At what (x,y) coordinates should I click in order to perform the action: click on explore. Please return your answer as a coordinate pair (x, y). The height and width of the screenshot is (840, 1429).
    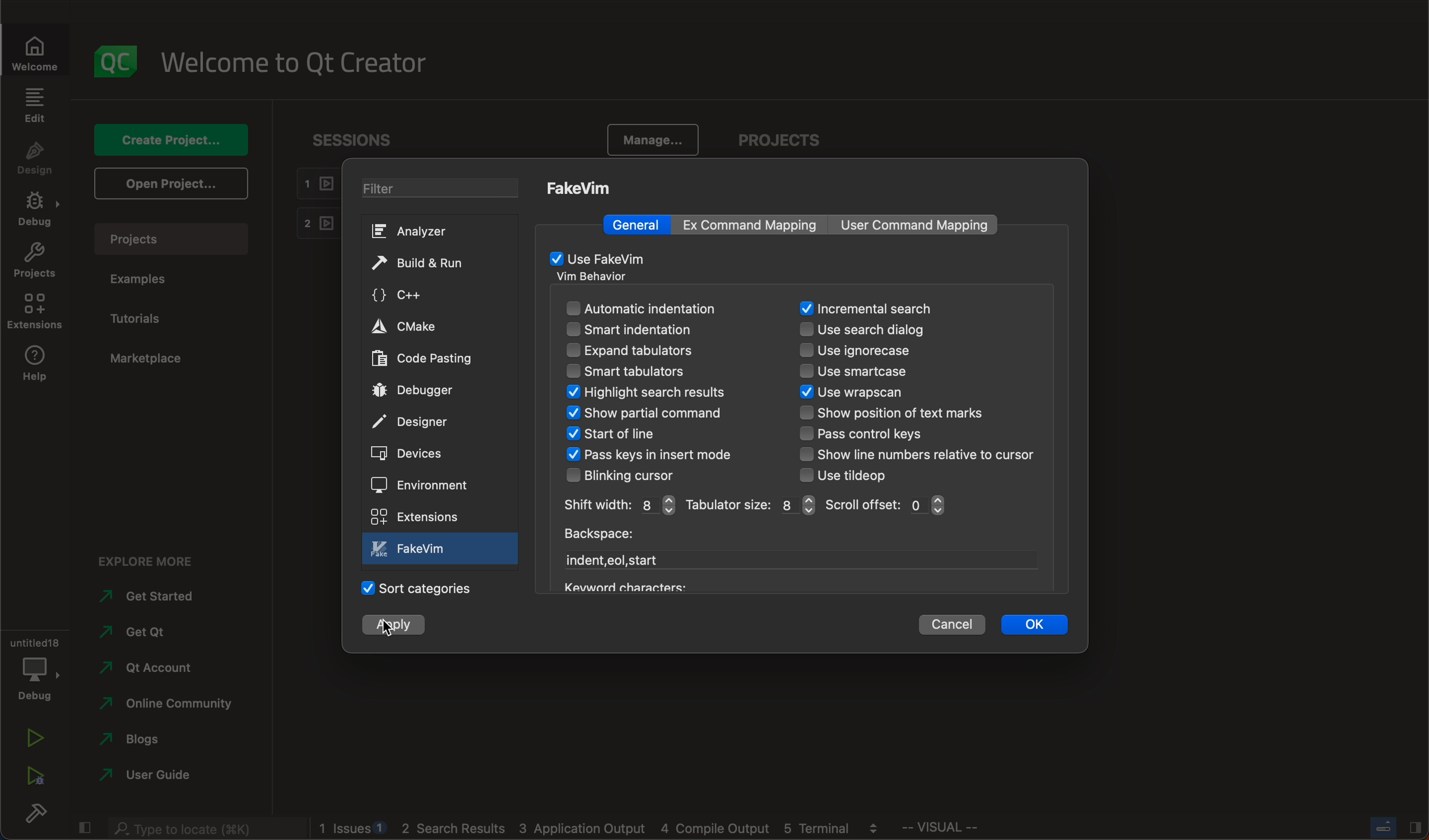
    Looking at the image, I should click on (153, 562).